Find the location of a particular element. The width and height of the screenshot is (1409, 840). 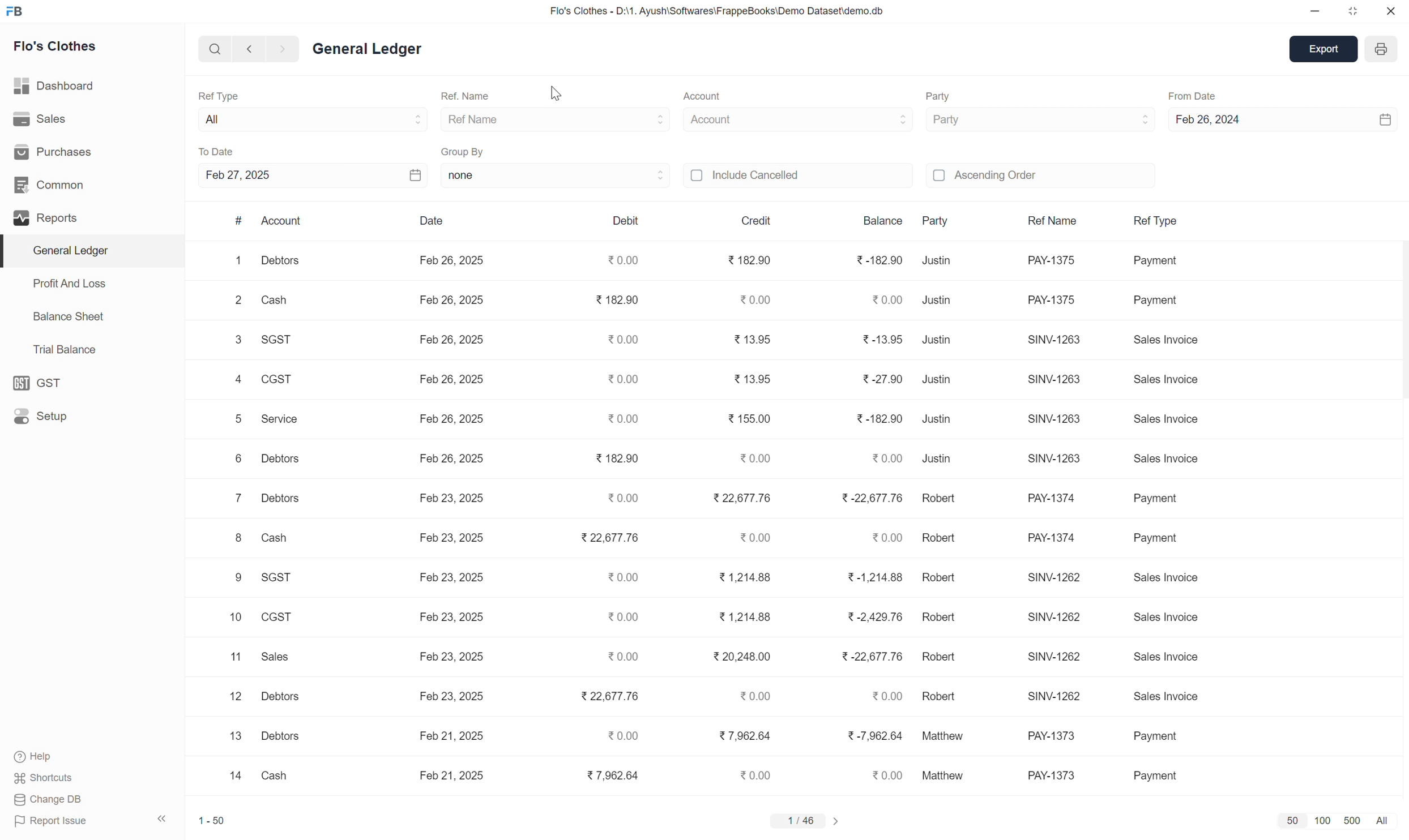

setup is located at coordinates (96, 416).